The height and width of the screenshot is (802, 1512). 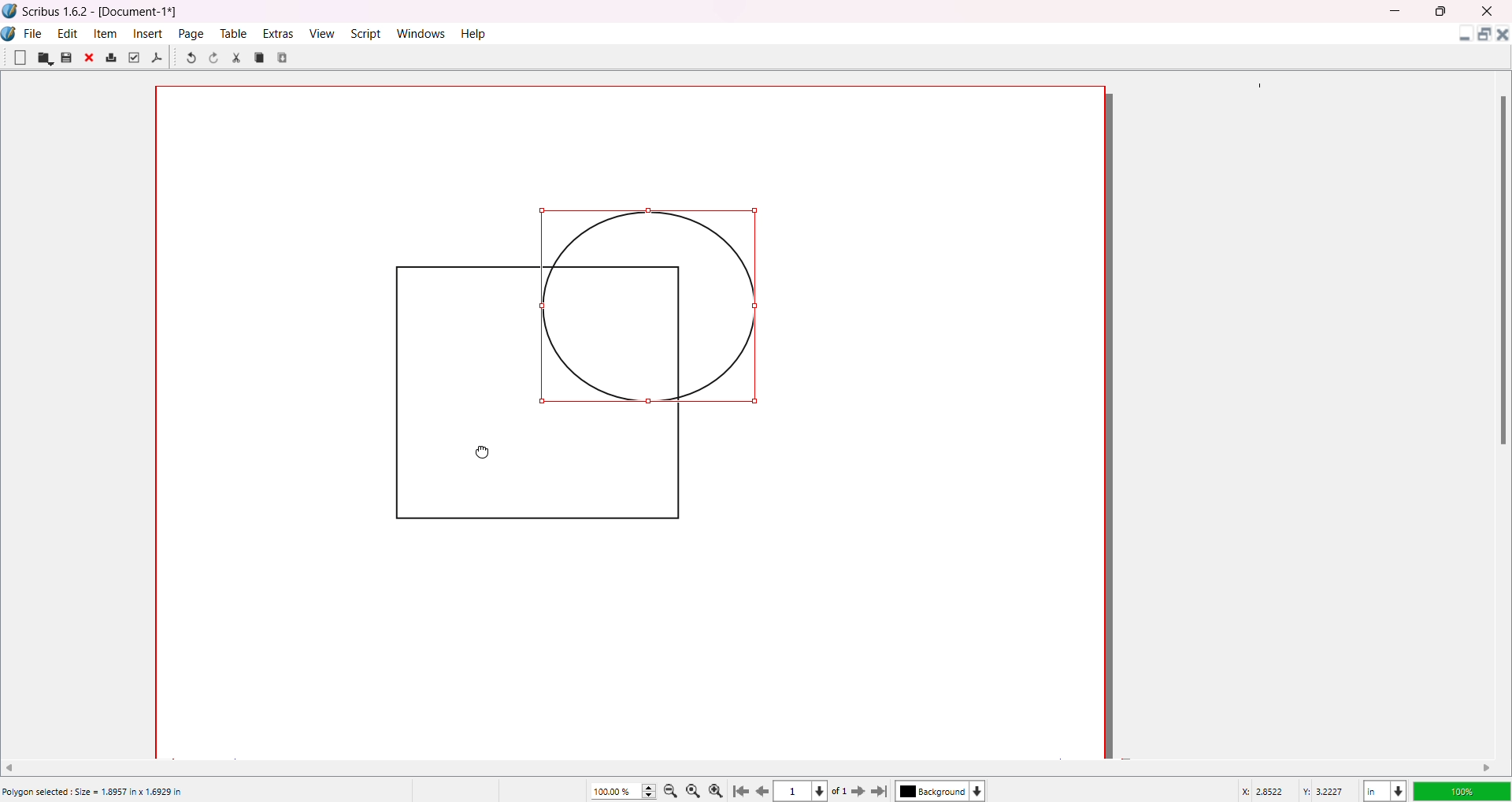 What do you see at coordinates (91, 59) in the screenshot?
I see `Close` at bounding box center [91, 59].